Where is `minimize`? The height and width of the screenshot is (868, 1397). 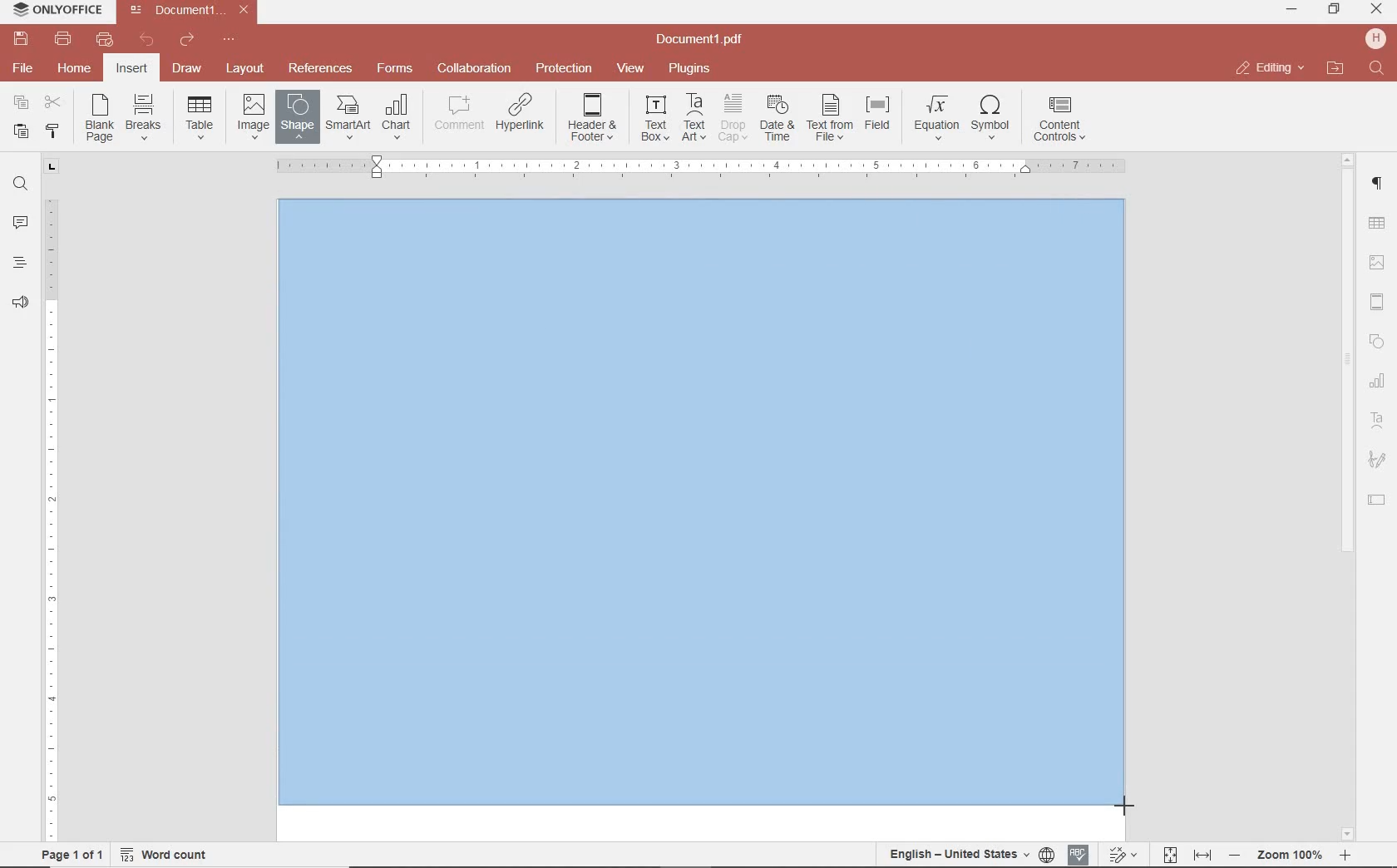
minimize is located at coordinates (1293, 9).